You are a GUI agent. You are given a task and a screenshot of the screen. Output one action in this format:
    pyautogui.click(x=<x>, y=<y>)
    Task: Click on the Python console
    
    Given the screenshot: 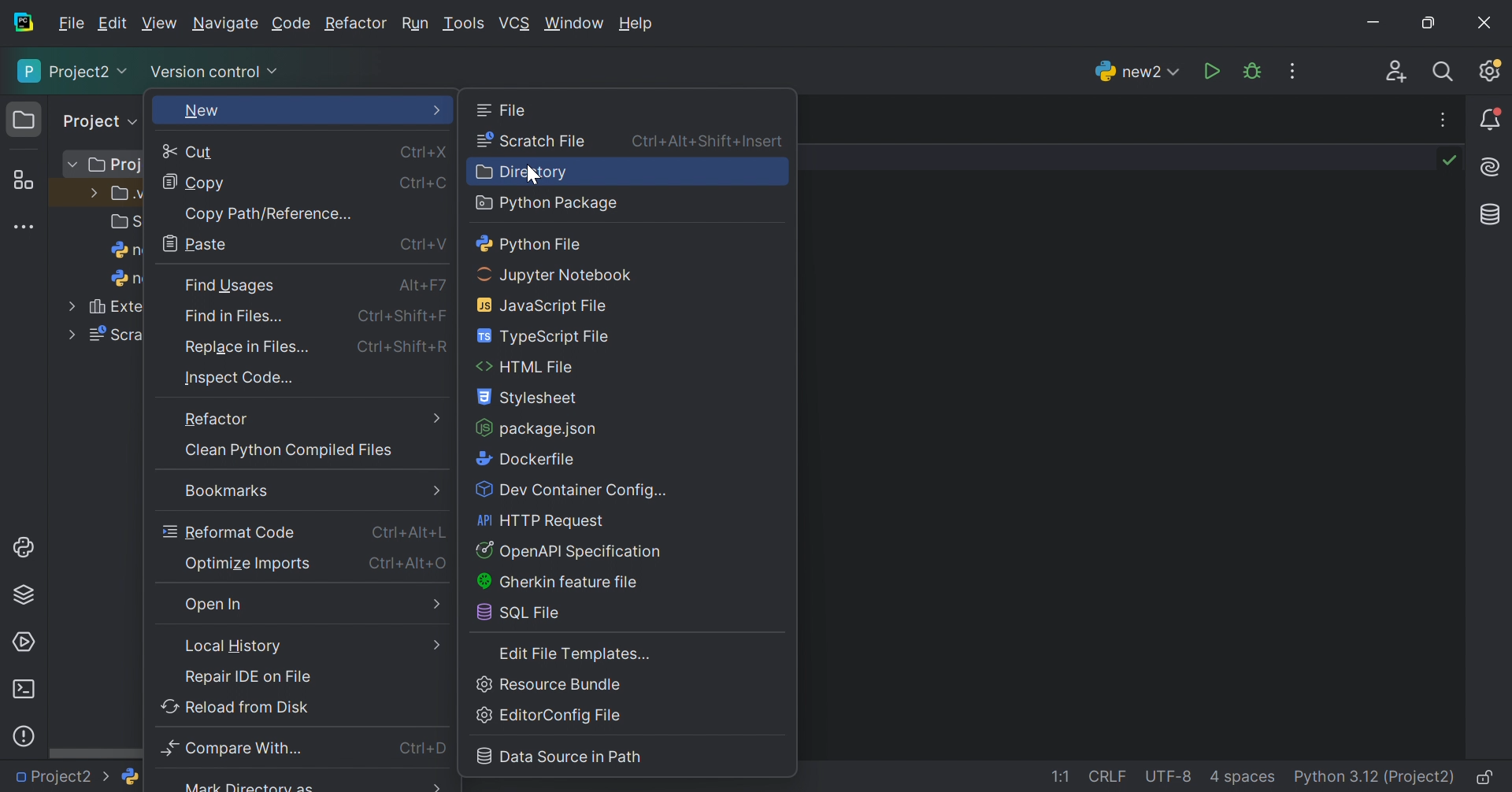 What is the action you would take?
    pyautogui.click(x=21, y=547)
    